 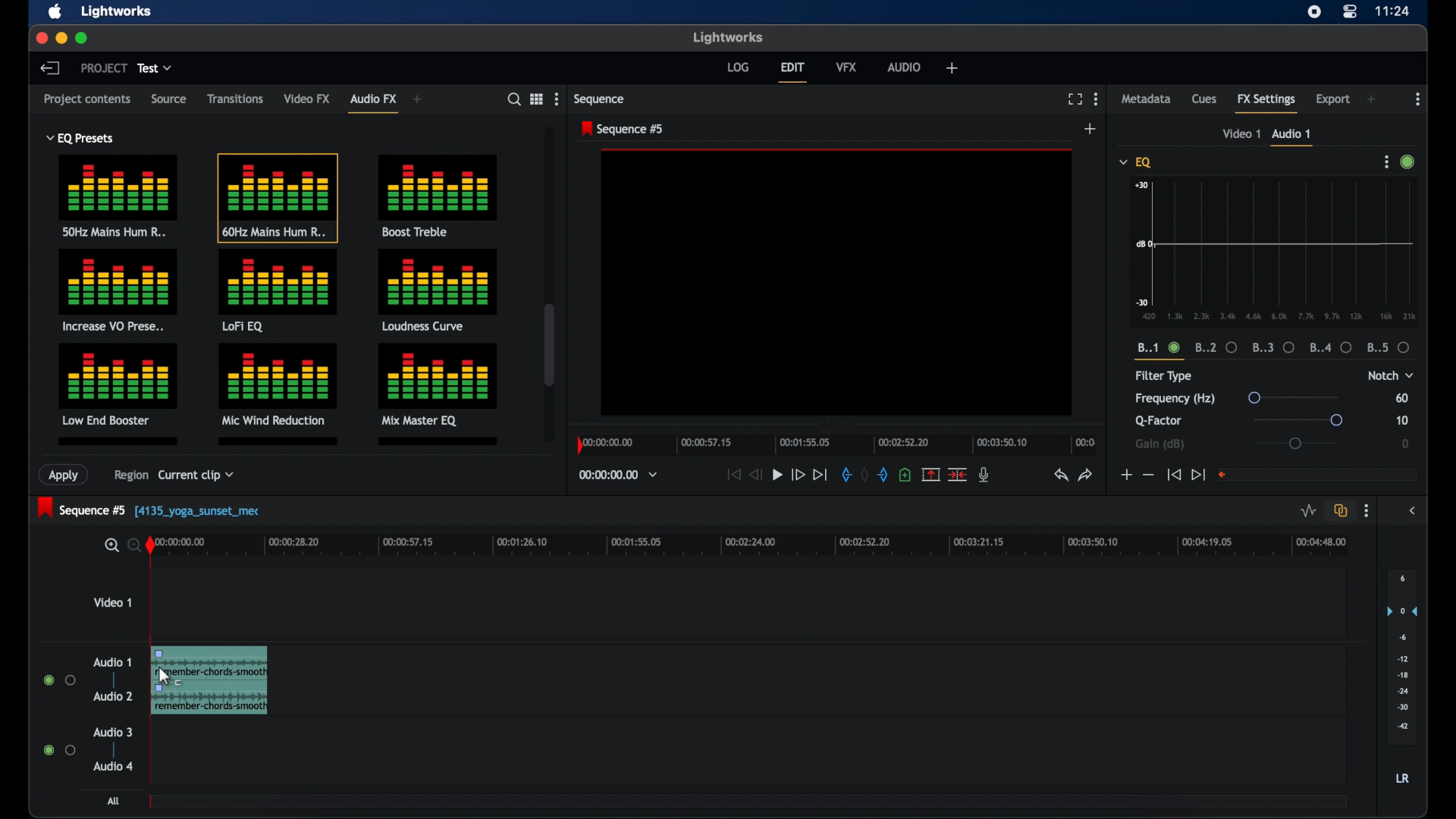 What do you see at coordinates (845, 474) in the screenshot?
I see `in mark` at bounding box center [845, 474].